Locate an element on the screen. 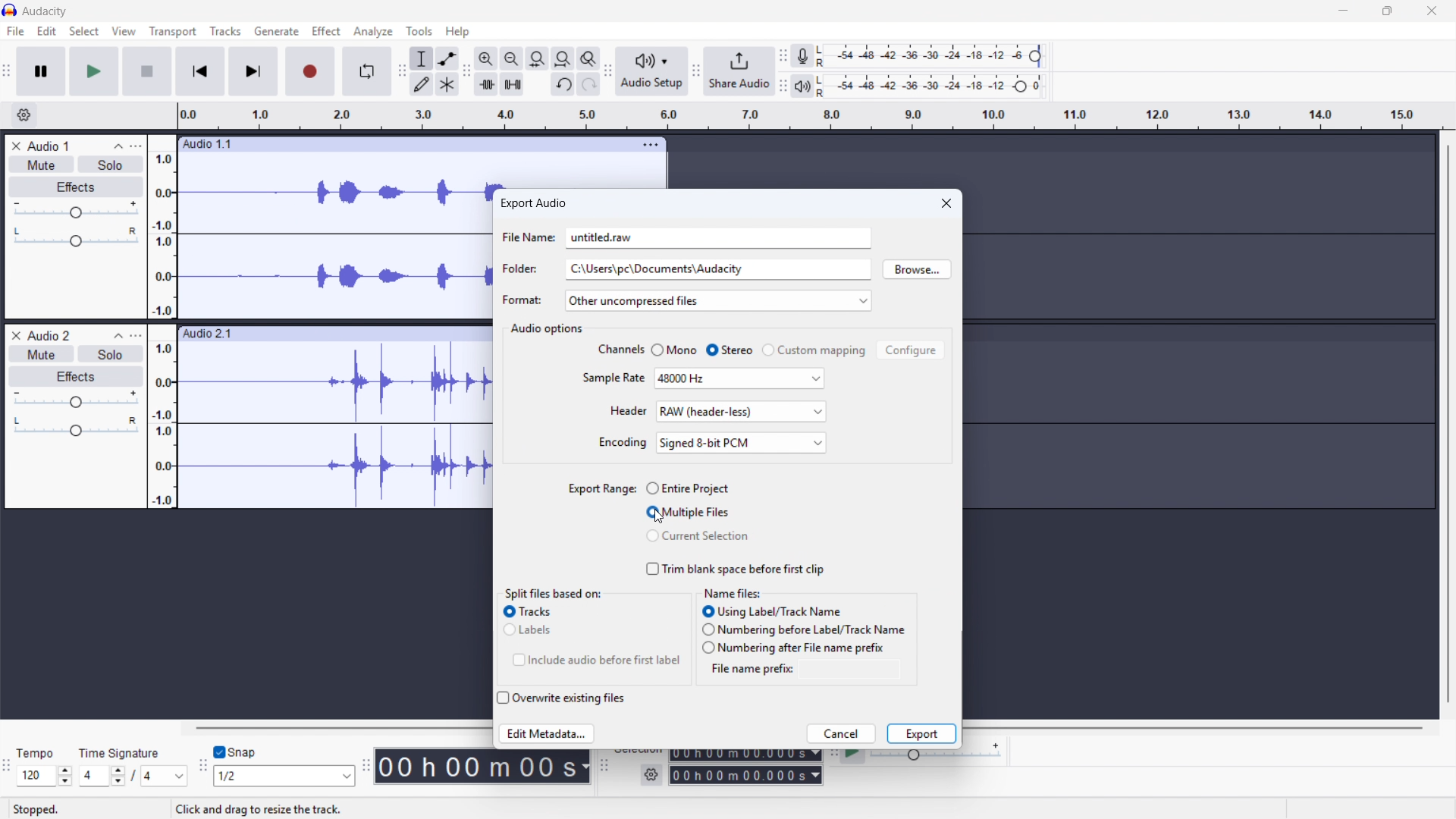  Select header  is located at coordinates (742, 412).